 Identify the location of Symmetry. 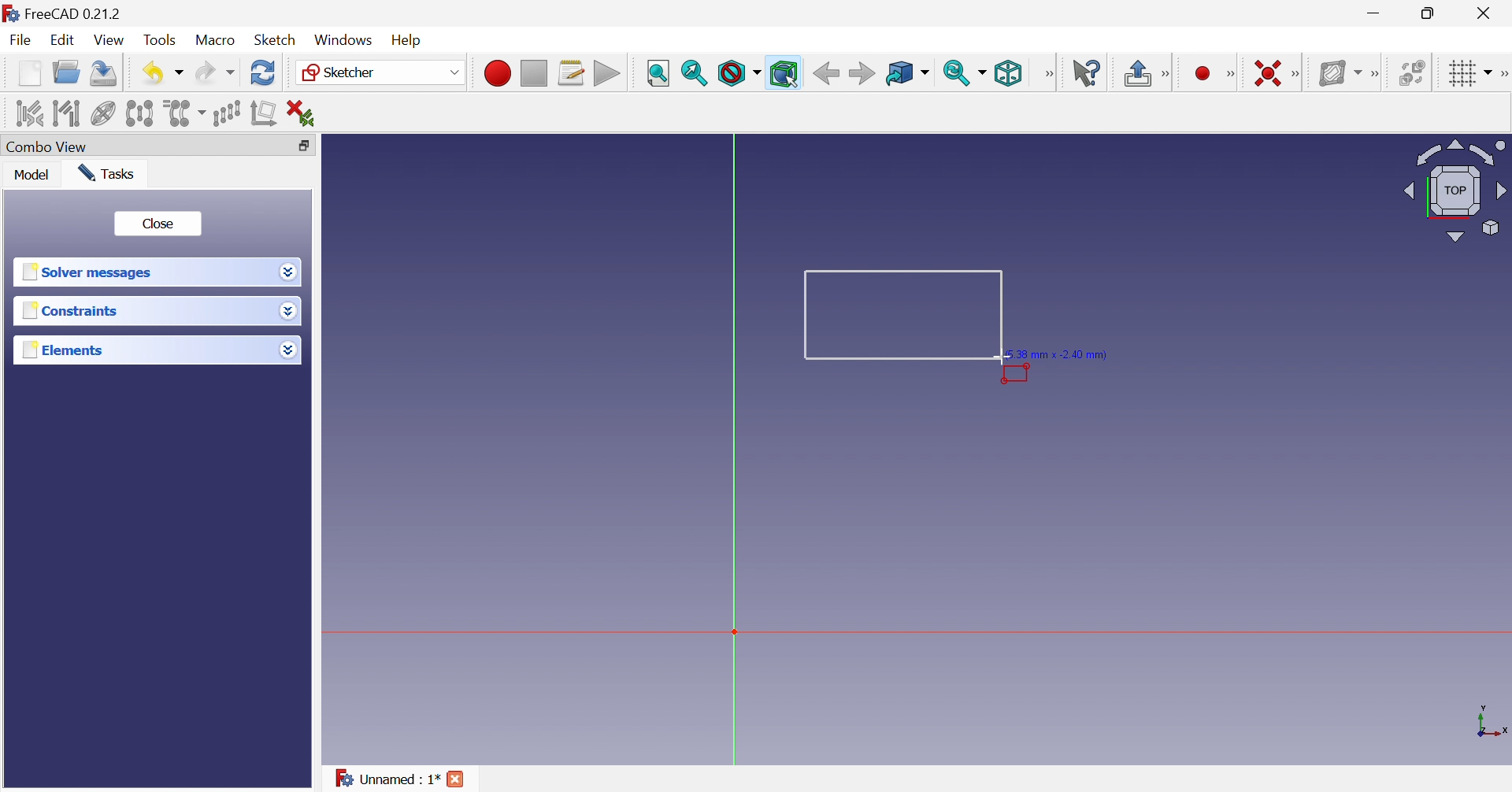
(140, 114).